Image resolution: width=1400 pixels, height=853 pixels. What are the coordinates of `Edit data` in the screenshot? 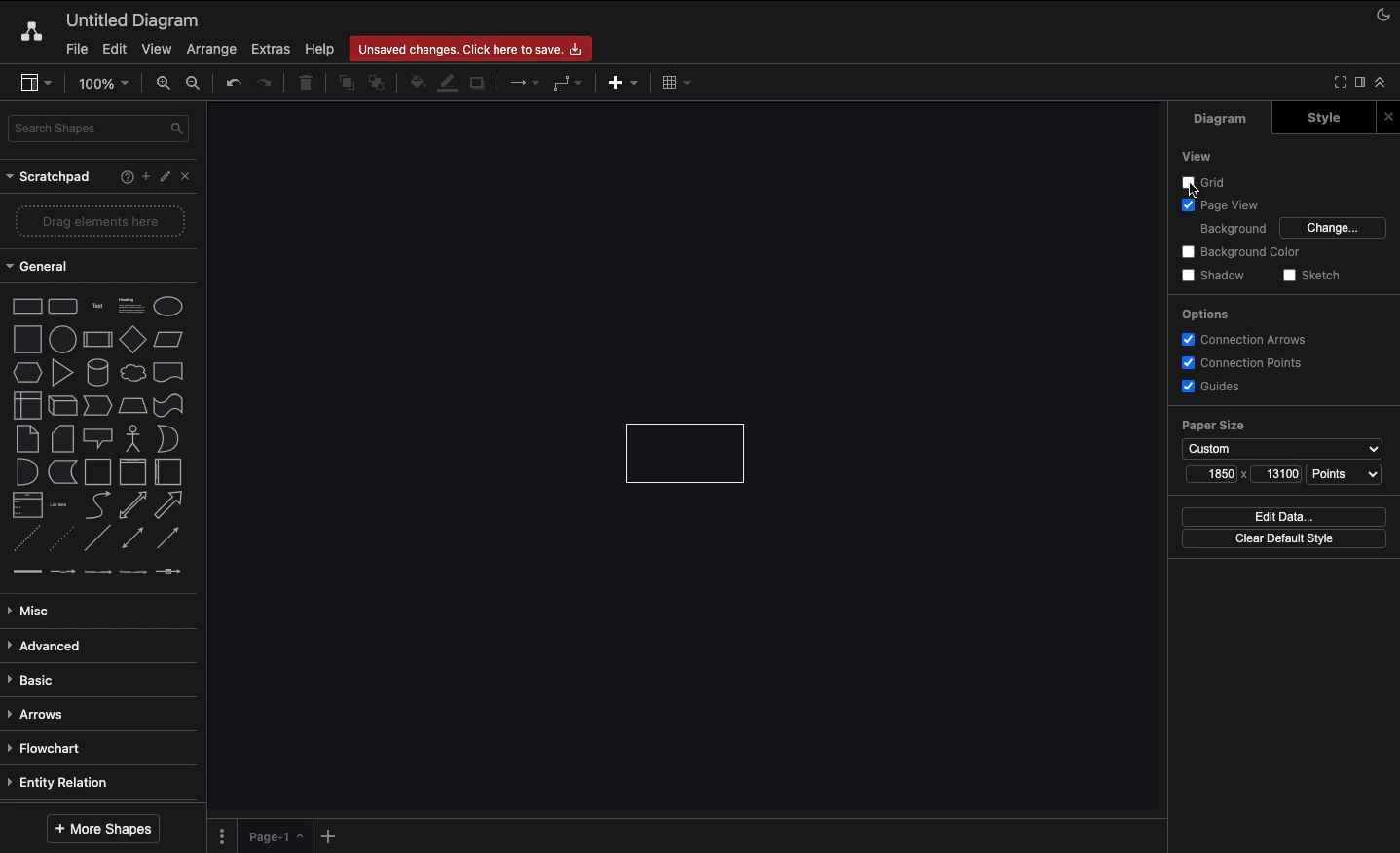 It's located at (1284, 517).